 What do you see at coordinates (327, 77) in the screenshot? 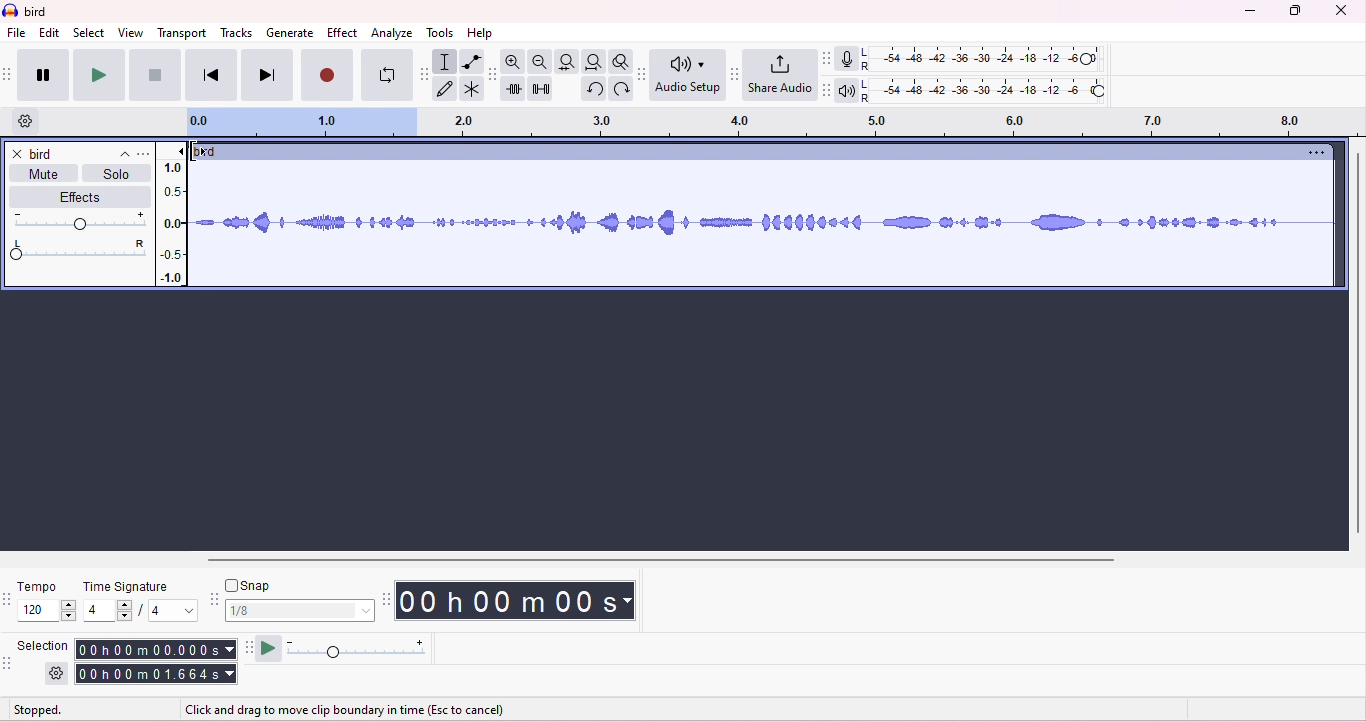
I see `record` at bounding box center [327, 77].